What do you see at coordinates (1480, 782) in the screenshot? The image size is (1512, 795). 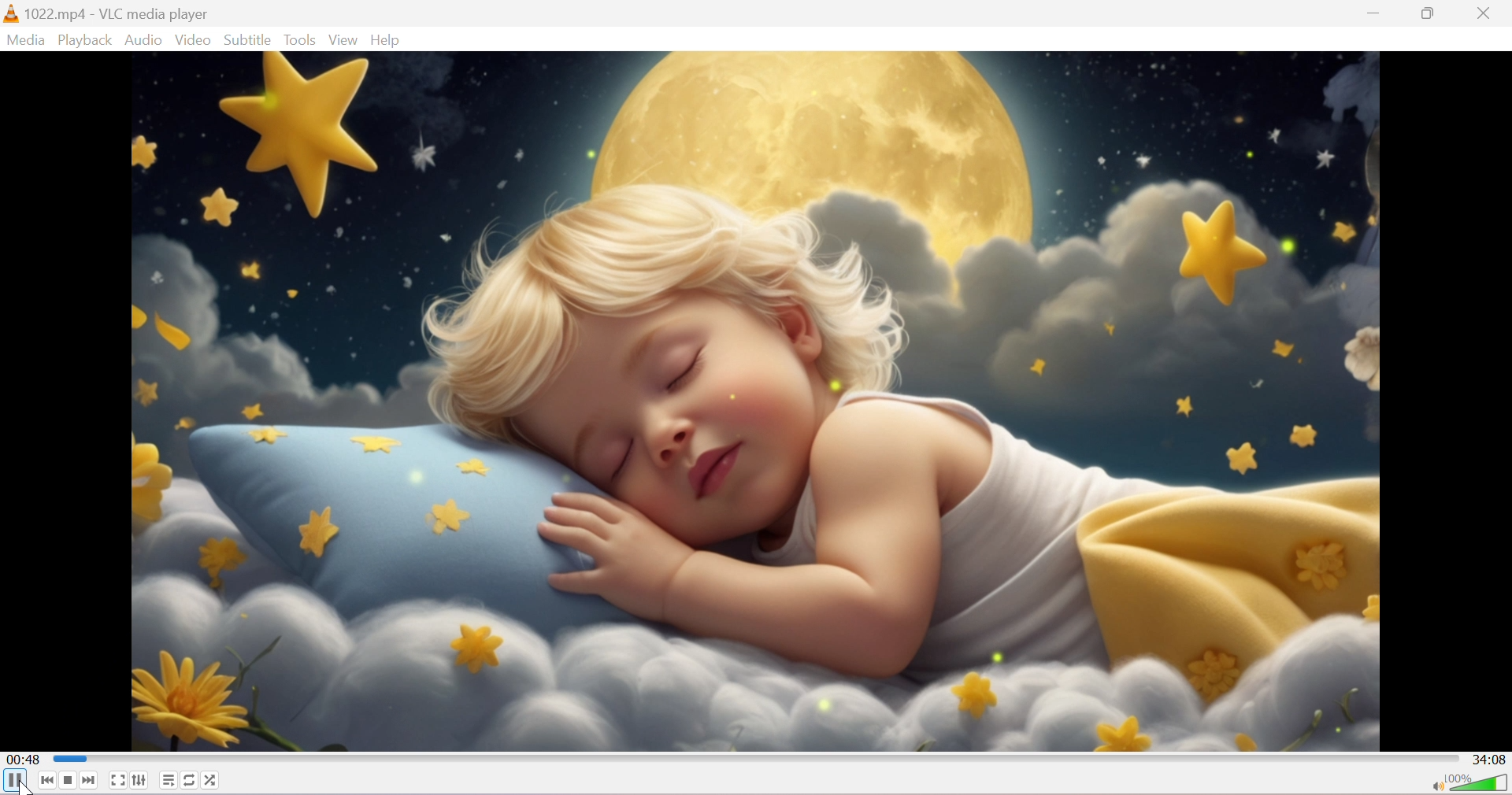 I see `Volume` at bounding box center [1480, 782].